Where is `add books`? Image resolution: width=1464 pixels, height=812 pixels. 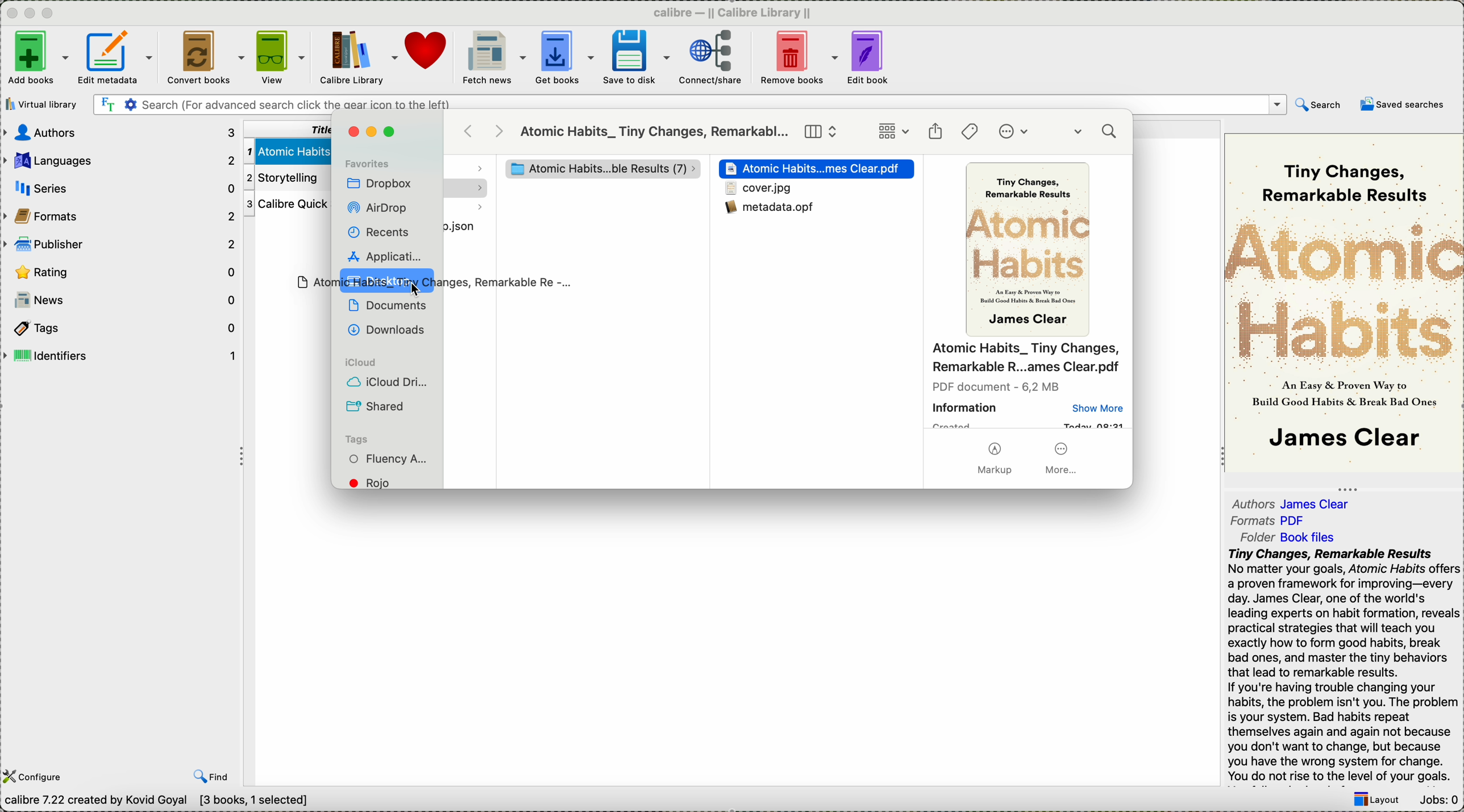 add books is located at coordinates (36, 59).